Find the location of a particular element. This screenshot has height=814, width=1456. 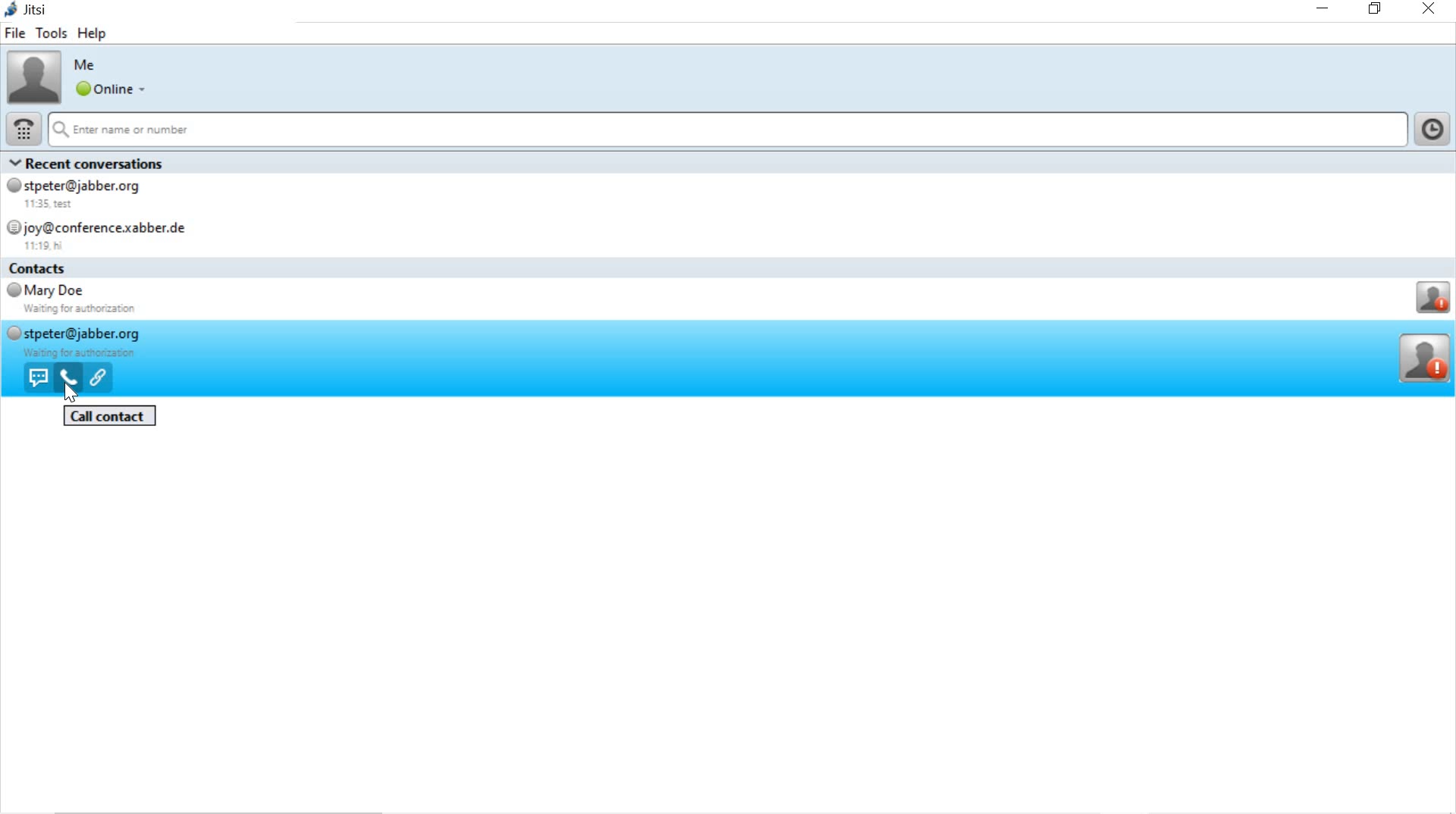

minimize is located at coordinates (1320, 11).